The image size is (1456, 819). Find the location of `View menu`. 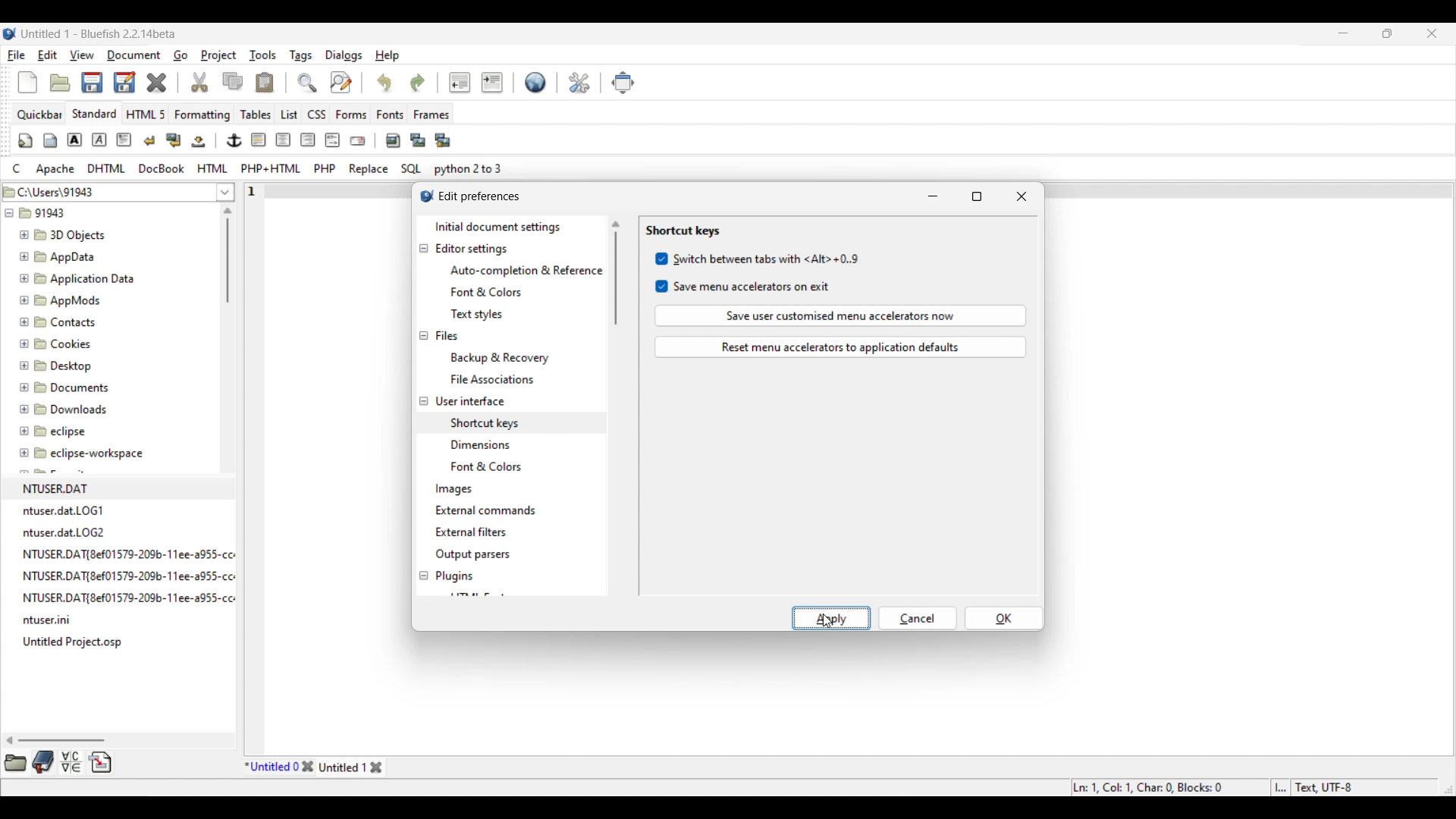

View menu is located at coordinates (82, 55).